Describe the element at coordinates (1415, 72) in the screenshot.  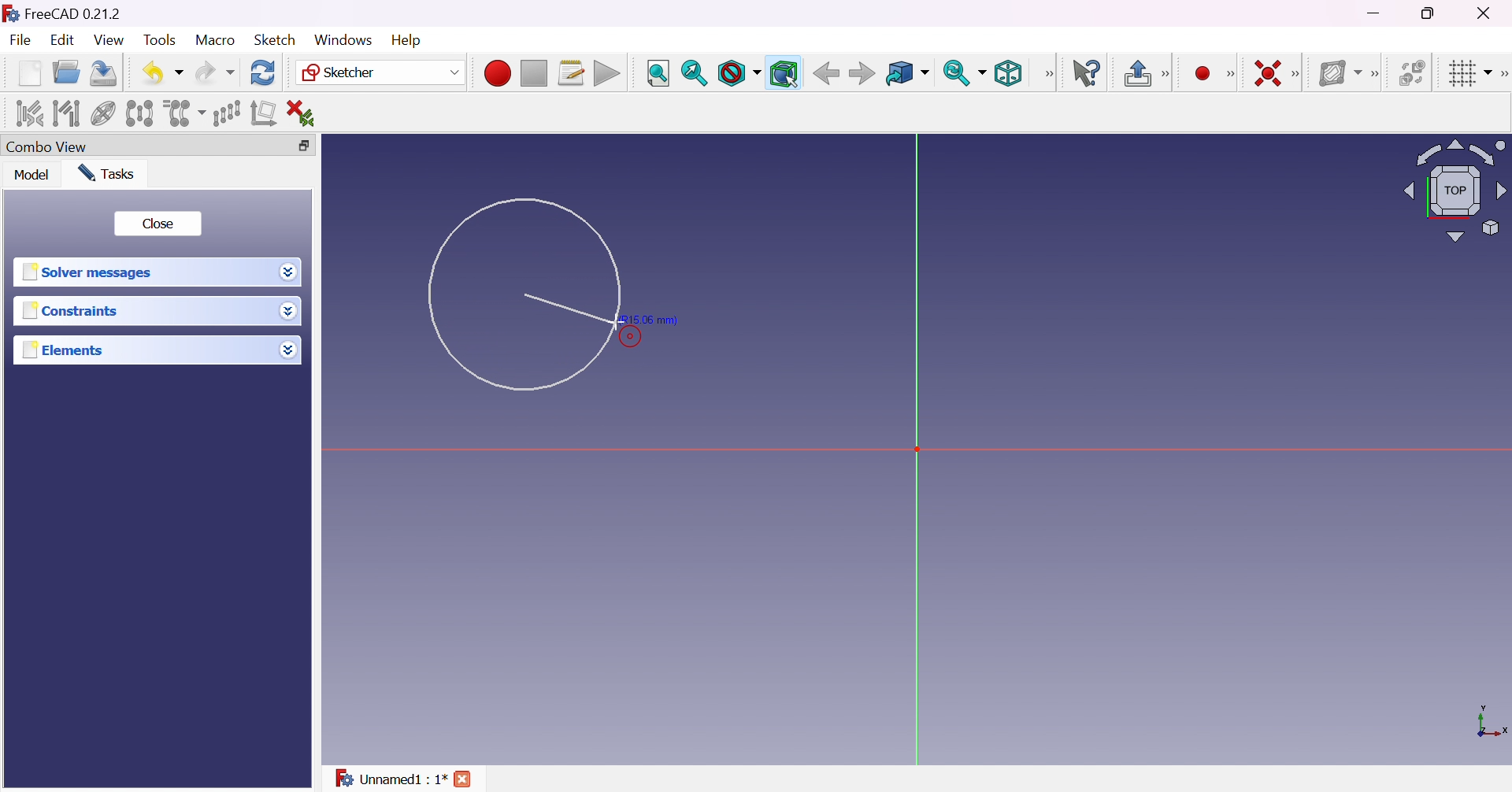
I see `Switch virtual space` at that location.